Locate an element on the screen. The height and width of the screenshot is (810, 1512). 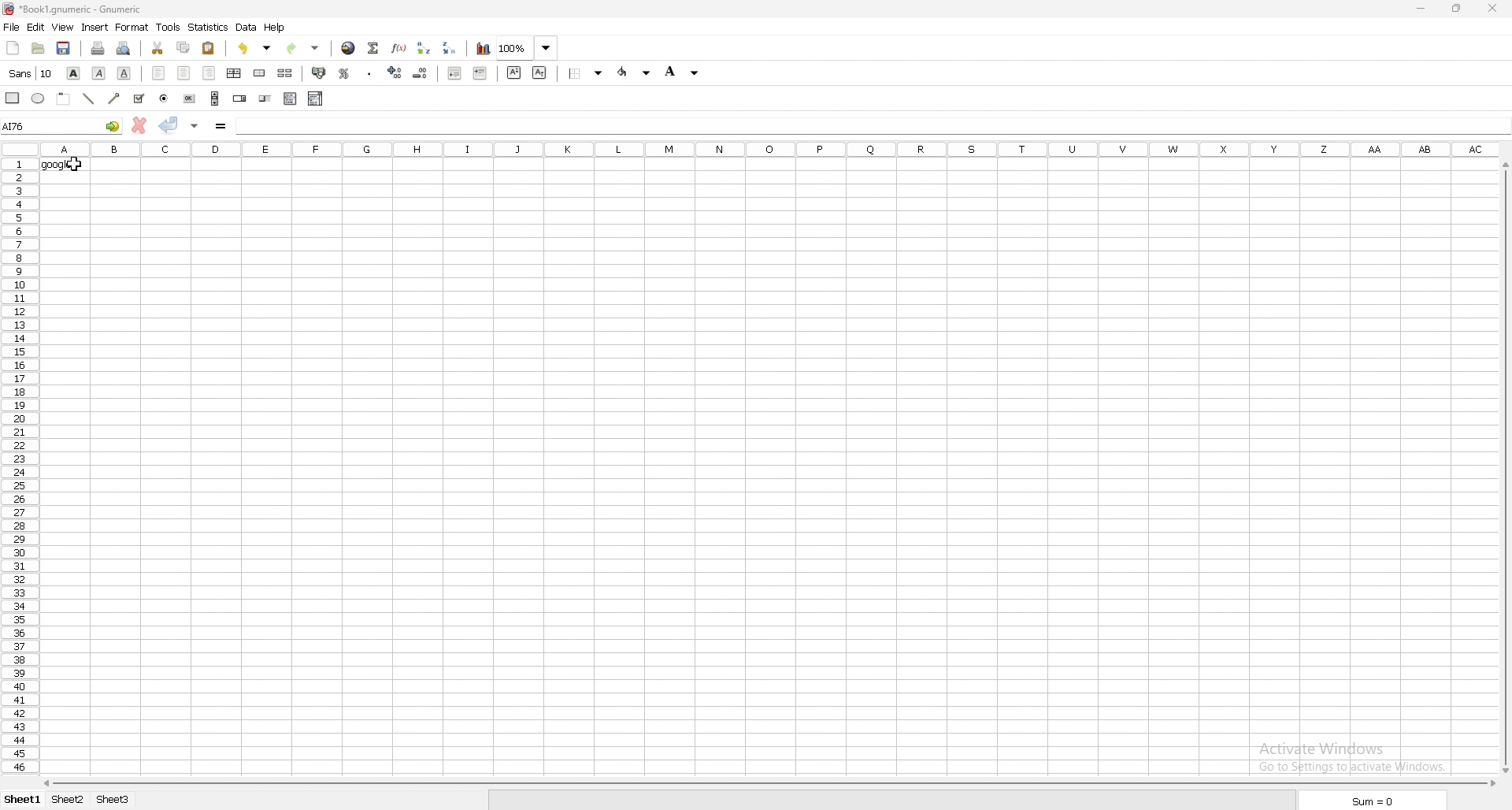
sheet 3 is located at coordinates (113, 799).